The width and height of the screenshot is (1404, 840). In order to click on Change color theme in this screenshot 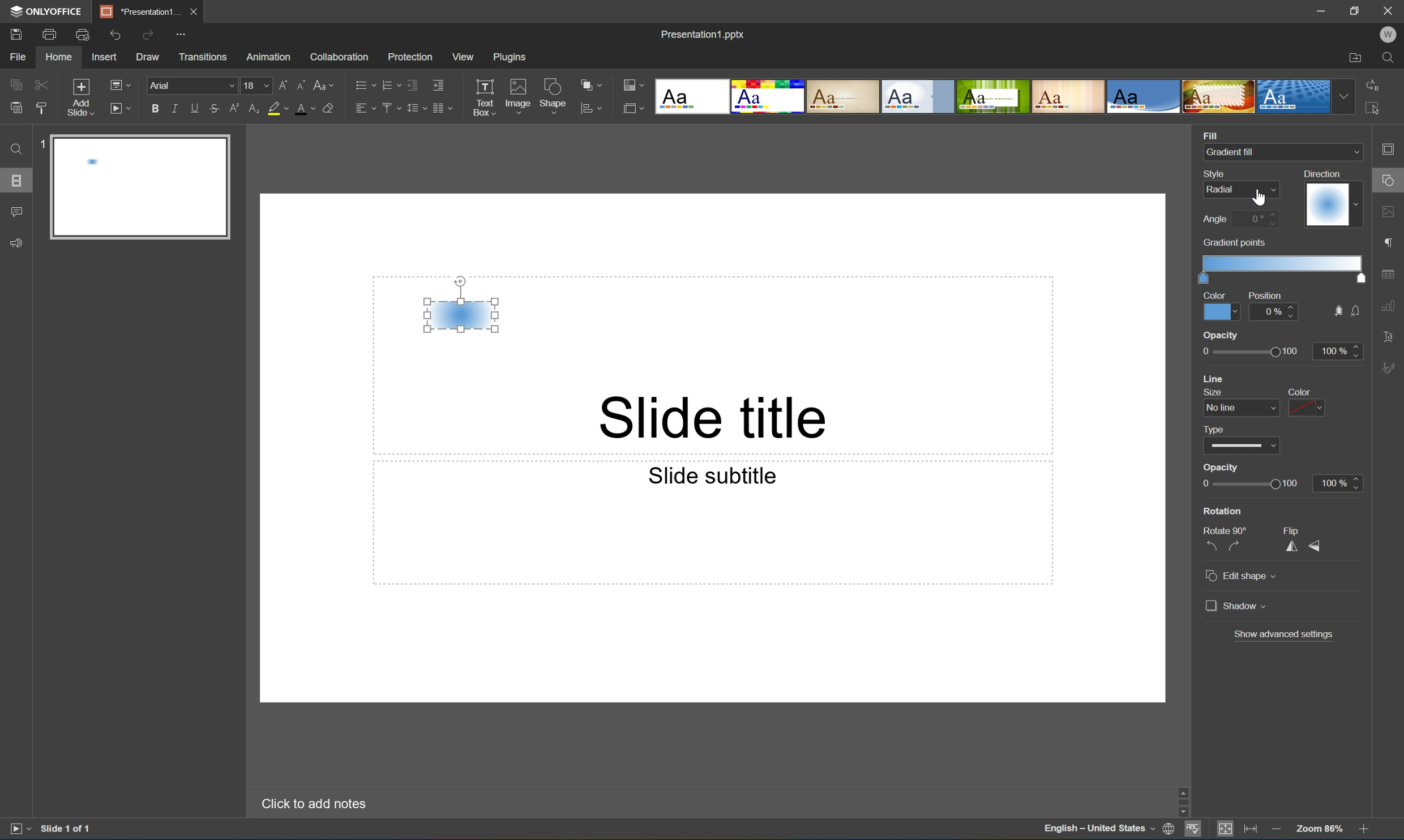, I will do `click(633, 86)`.